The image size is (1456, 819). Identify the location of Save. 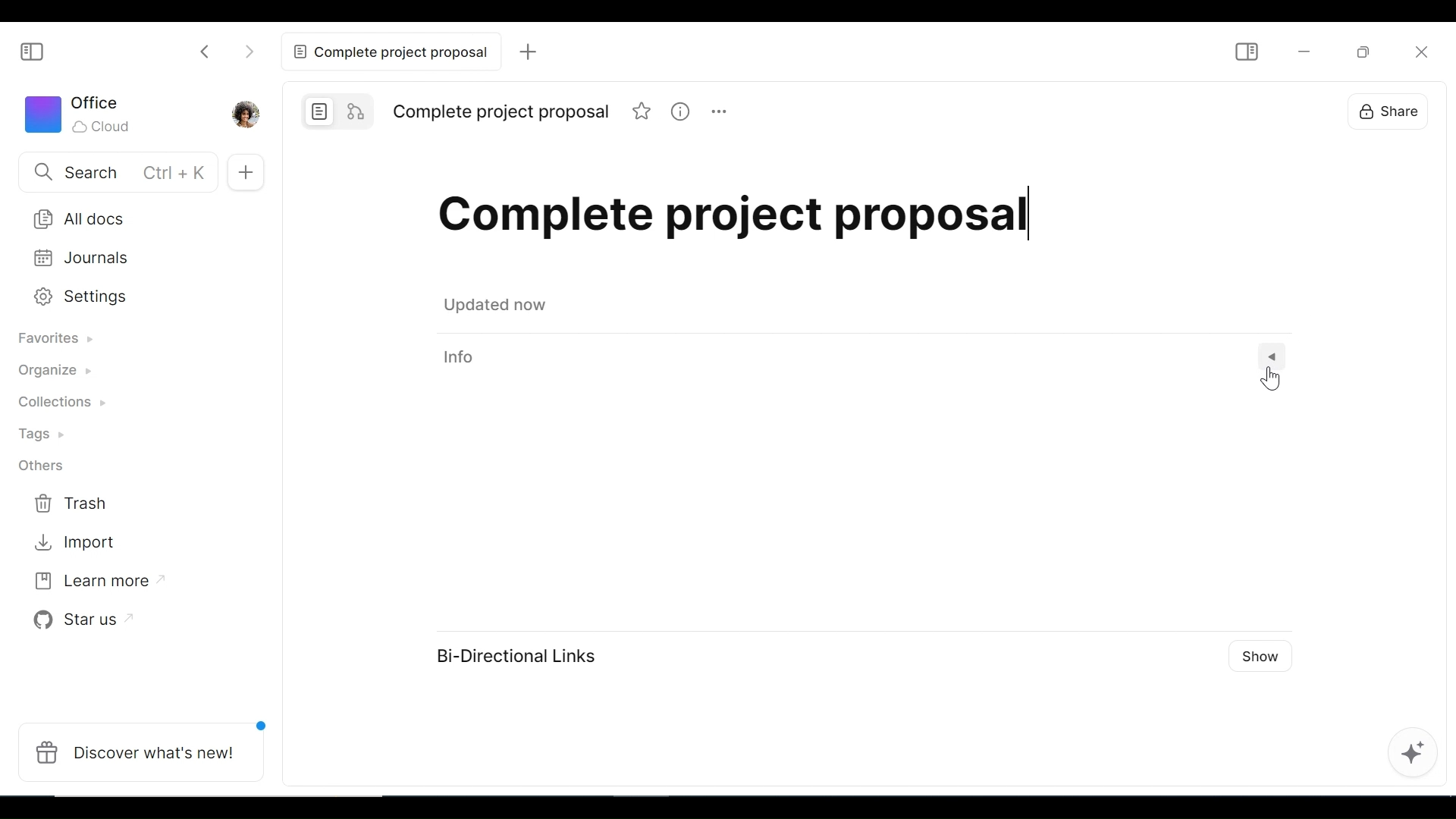
(499, 305).